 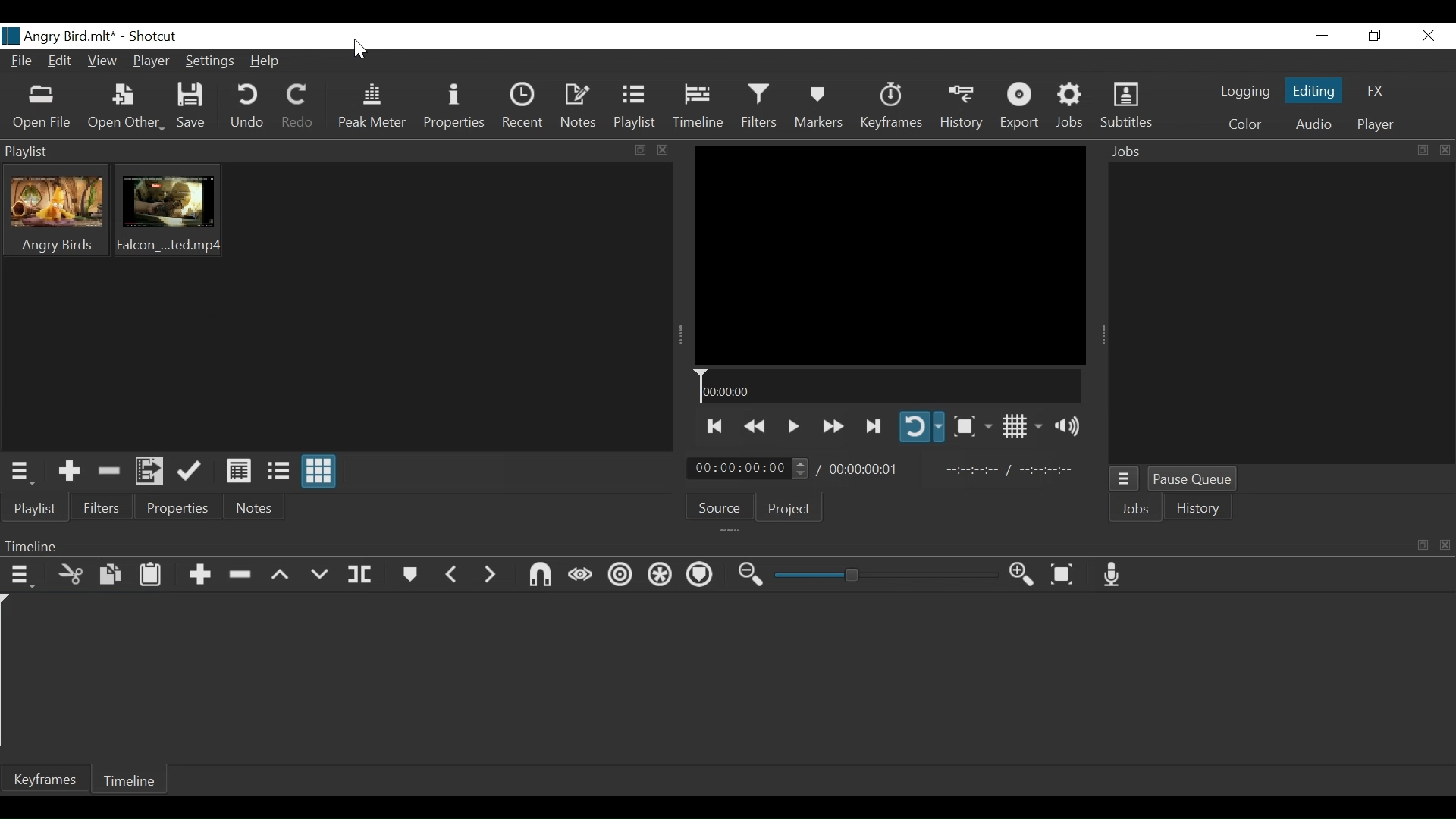 I want to click on Source, so click(x=718, y=504).